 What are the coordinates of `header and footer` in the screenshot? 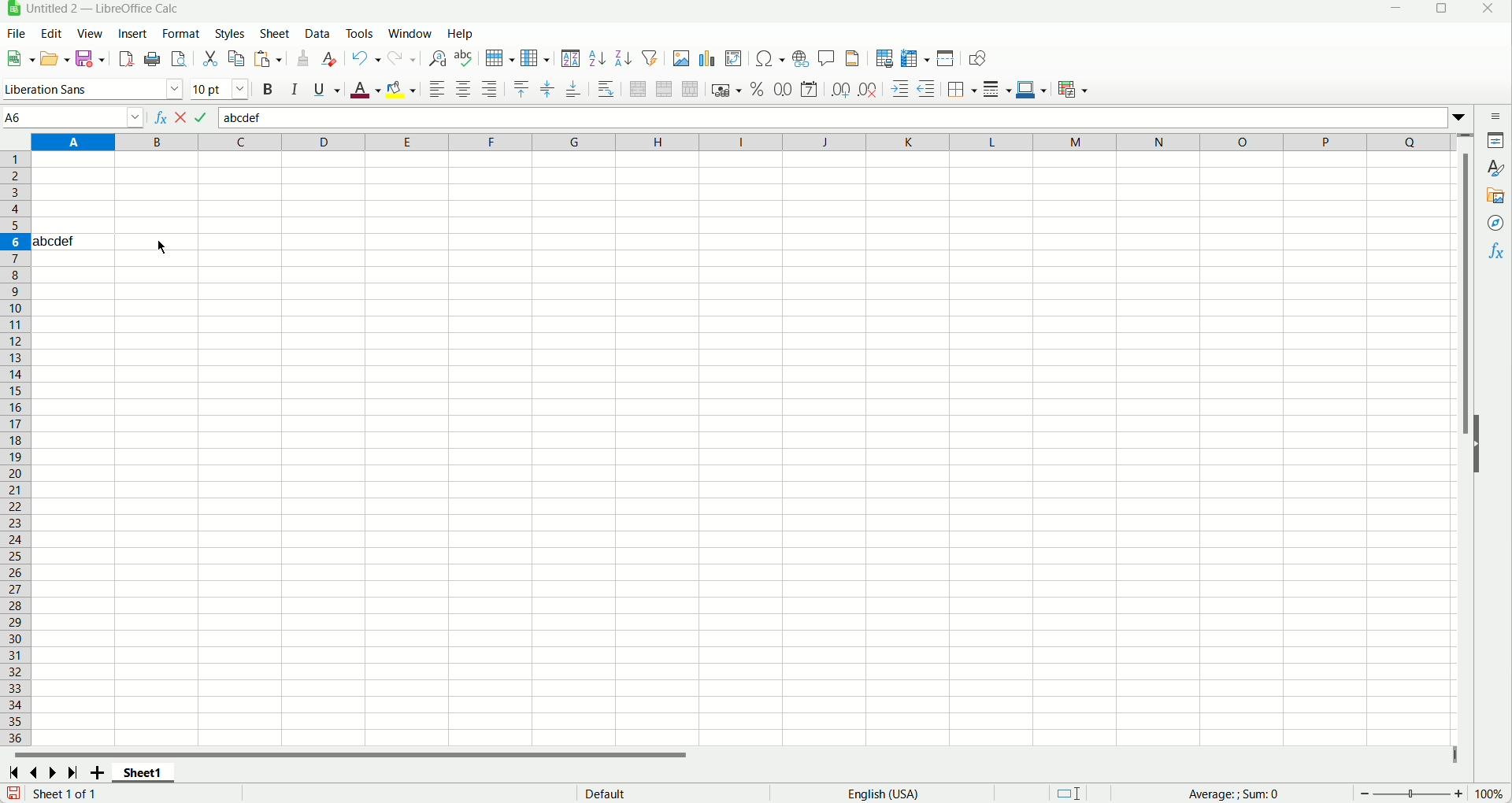 It's located at (854, 59).